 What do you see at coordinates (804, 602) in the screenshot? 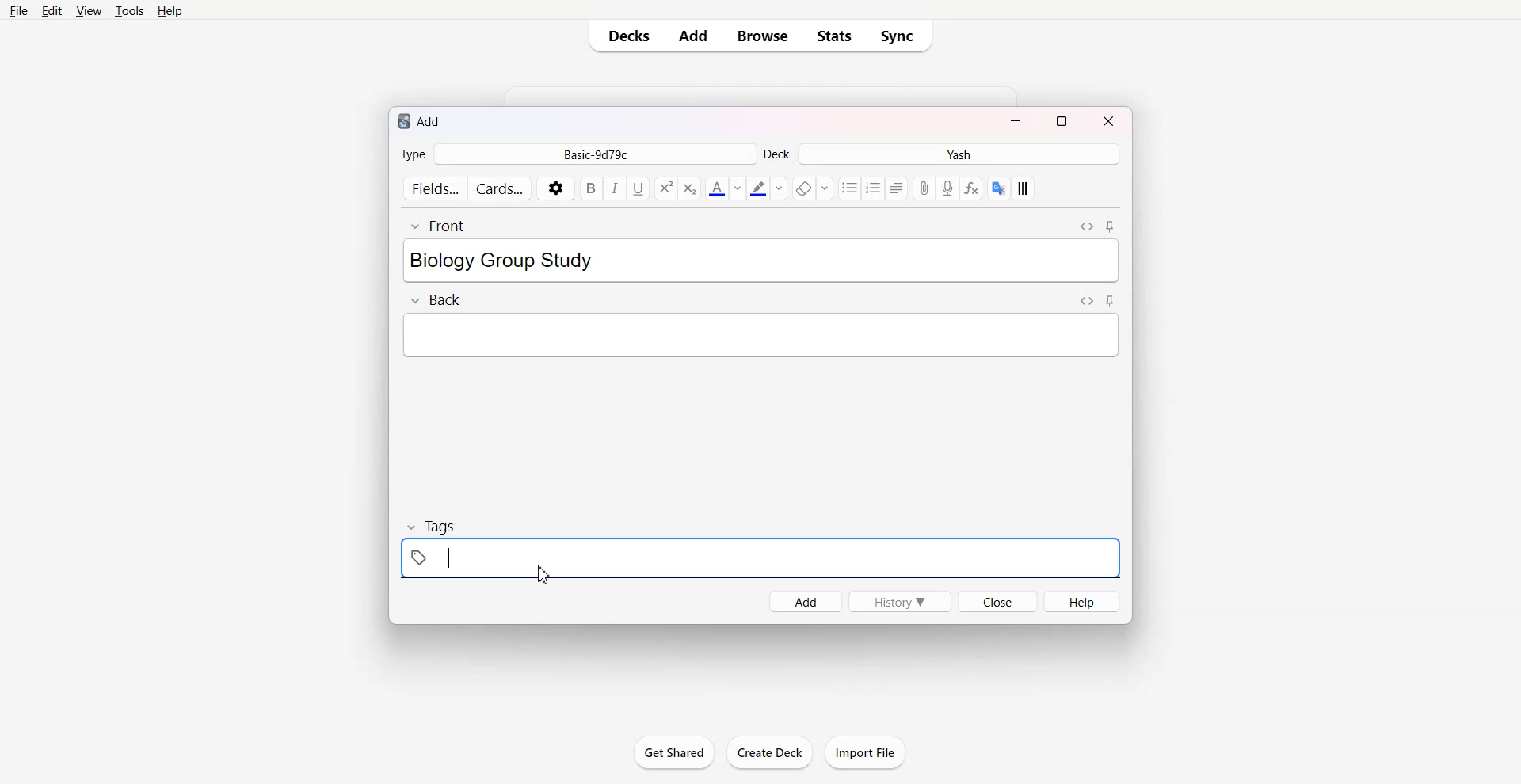
I see `Add` at bounding box center [804, 602].